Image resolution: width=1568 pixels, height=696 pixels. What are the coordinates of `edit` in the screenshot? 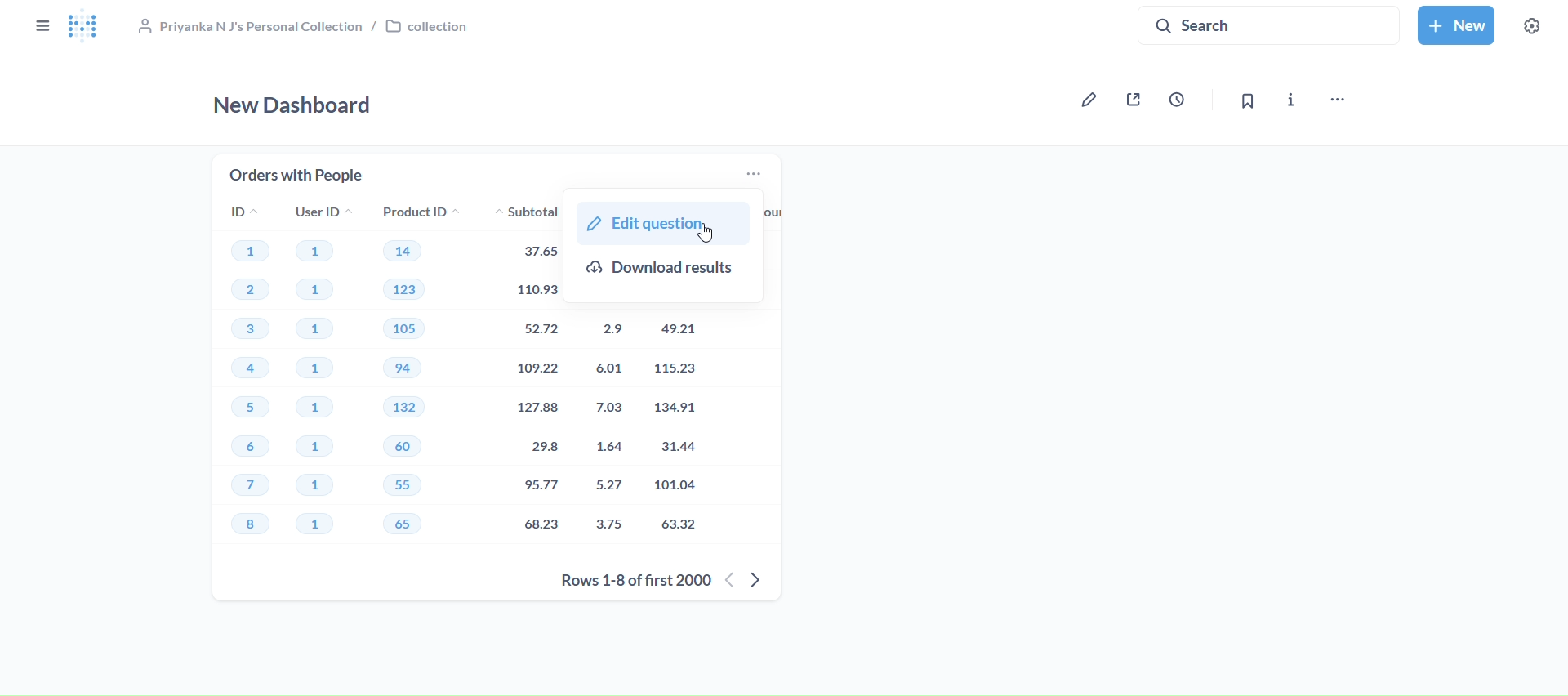 It's located at (1086, 100).